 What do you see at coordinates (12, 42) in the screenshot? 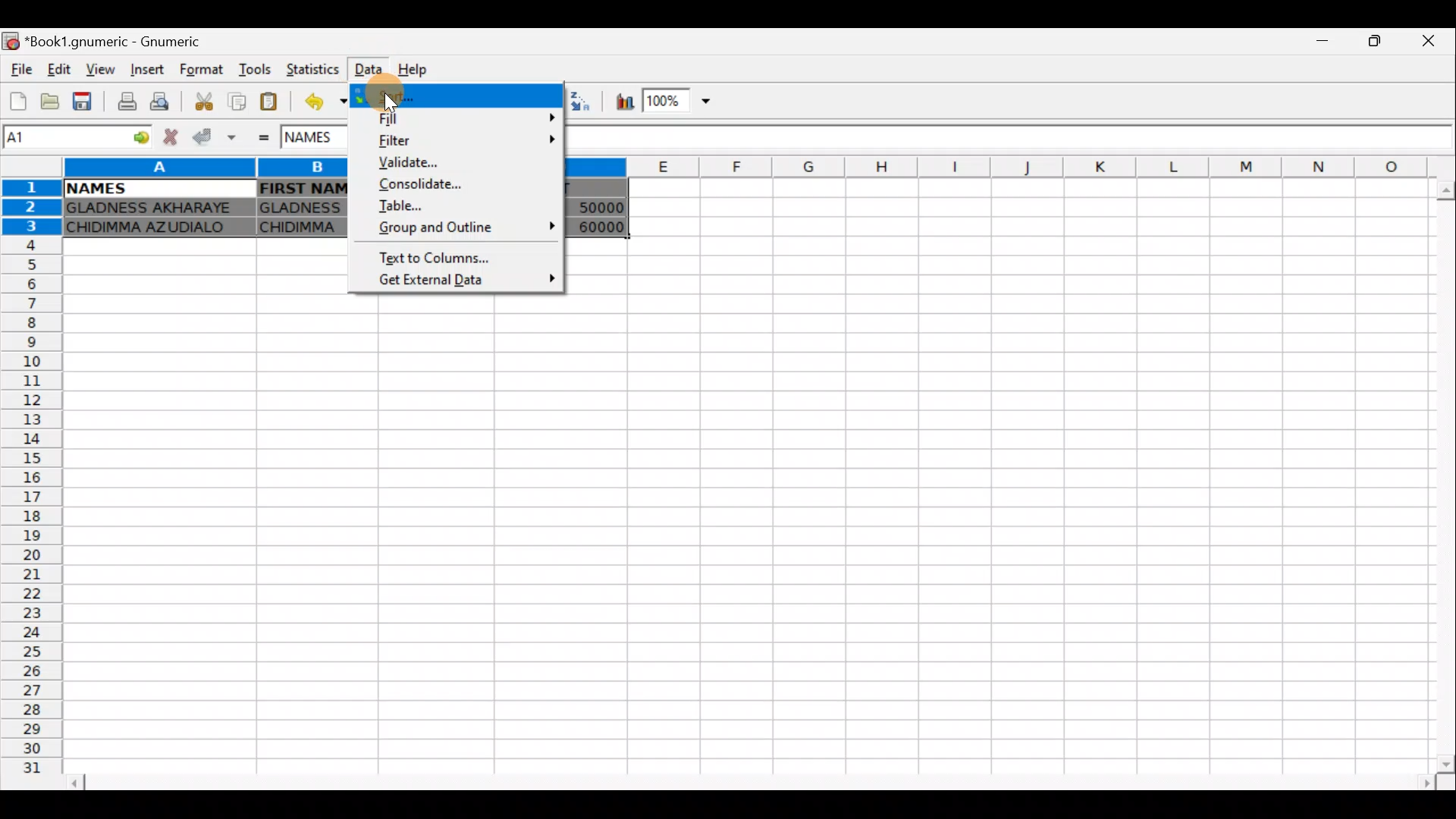
I see `Gnumeric logo` at bounding box center [12, 42].